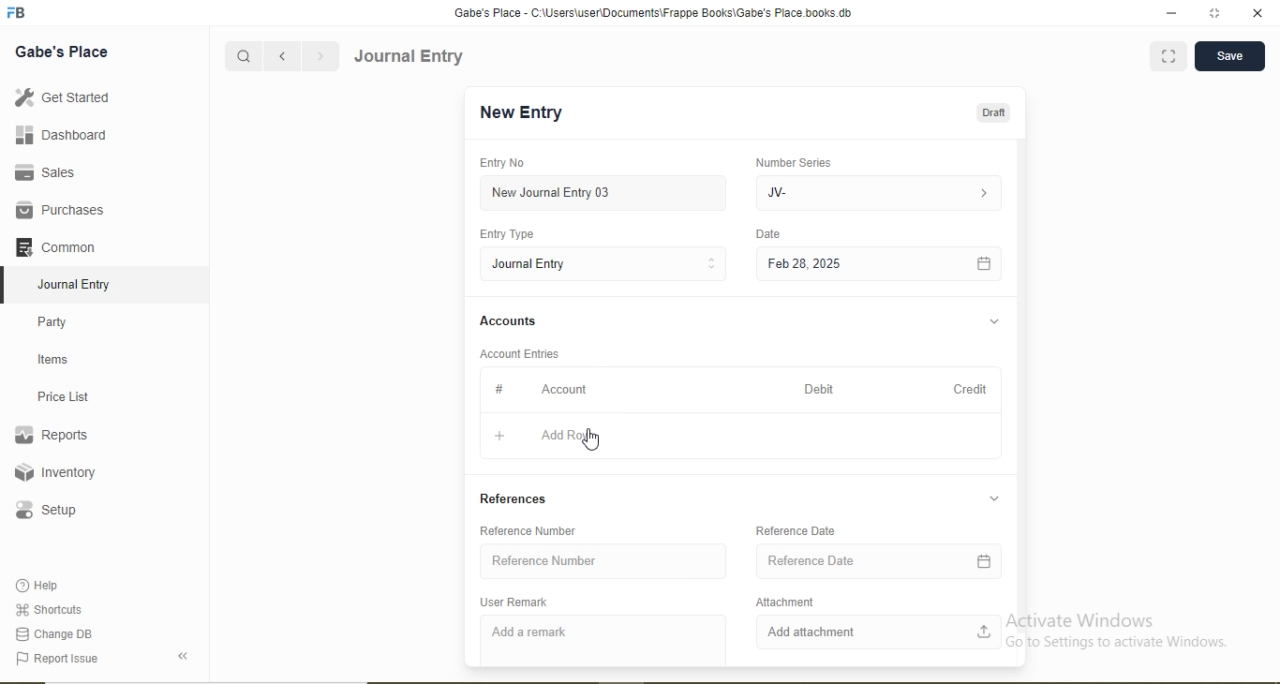 The width and height of the screenshot is (1280, 684). Describe the element at coordinates (52, 635) in the screenshot. I see `Change DB` at that location.